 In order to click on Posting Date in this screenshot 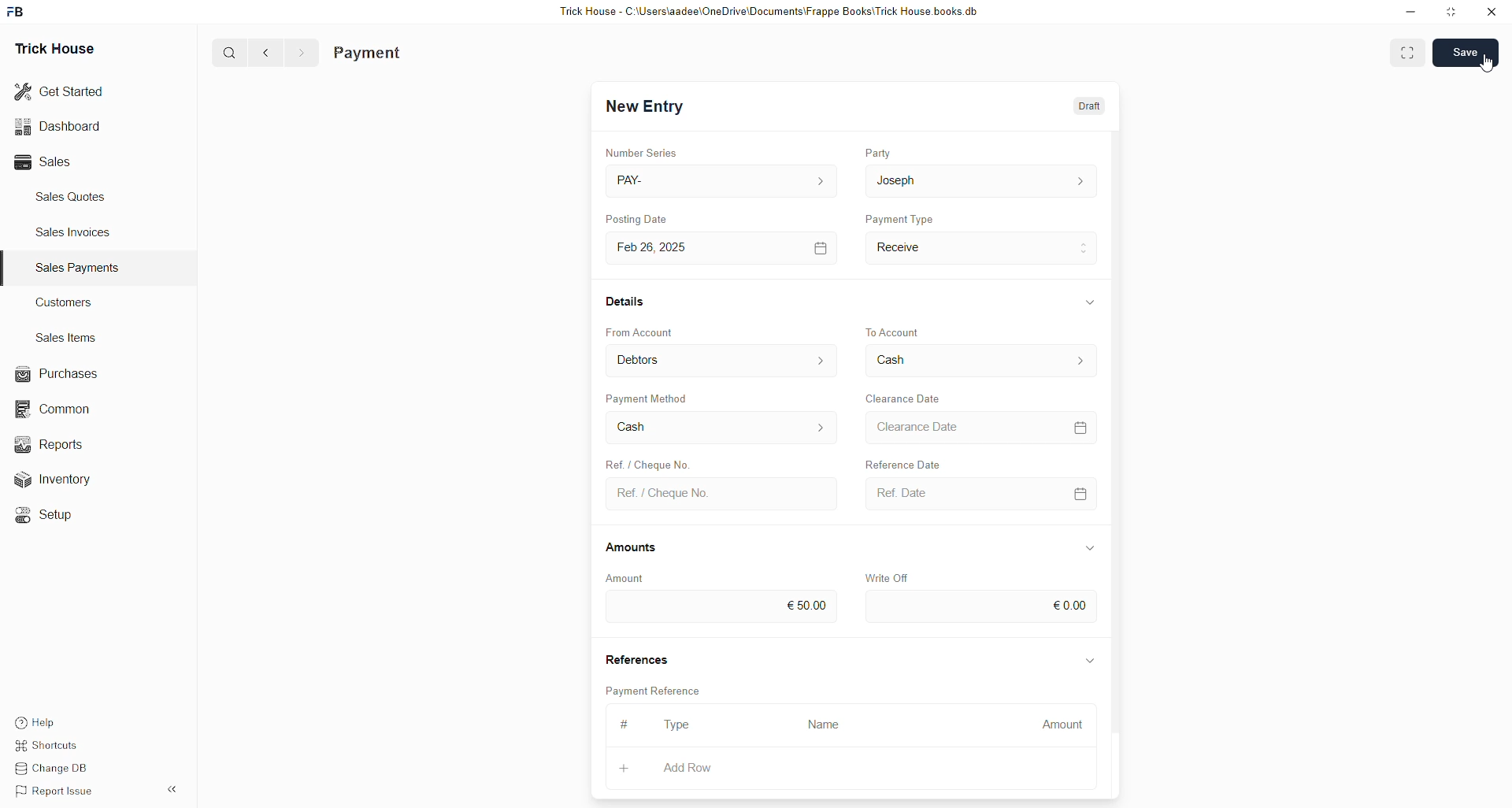, I will do `click(636, 218)`.